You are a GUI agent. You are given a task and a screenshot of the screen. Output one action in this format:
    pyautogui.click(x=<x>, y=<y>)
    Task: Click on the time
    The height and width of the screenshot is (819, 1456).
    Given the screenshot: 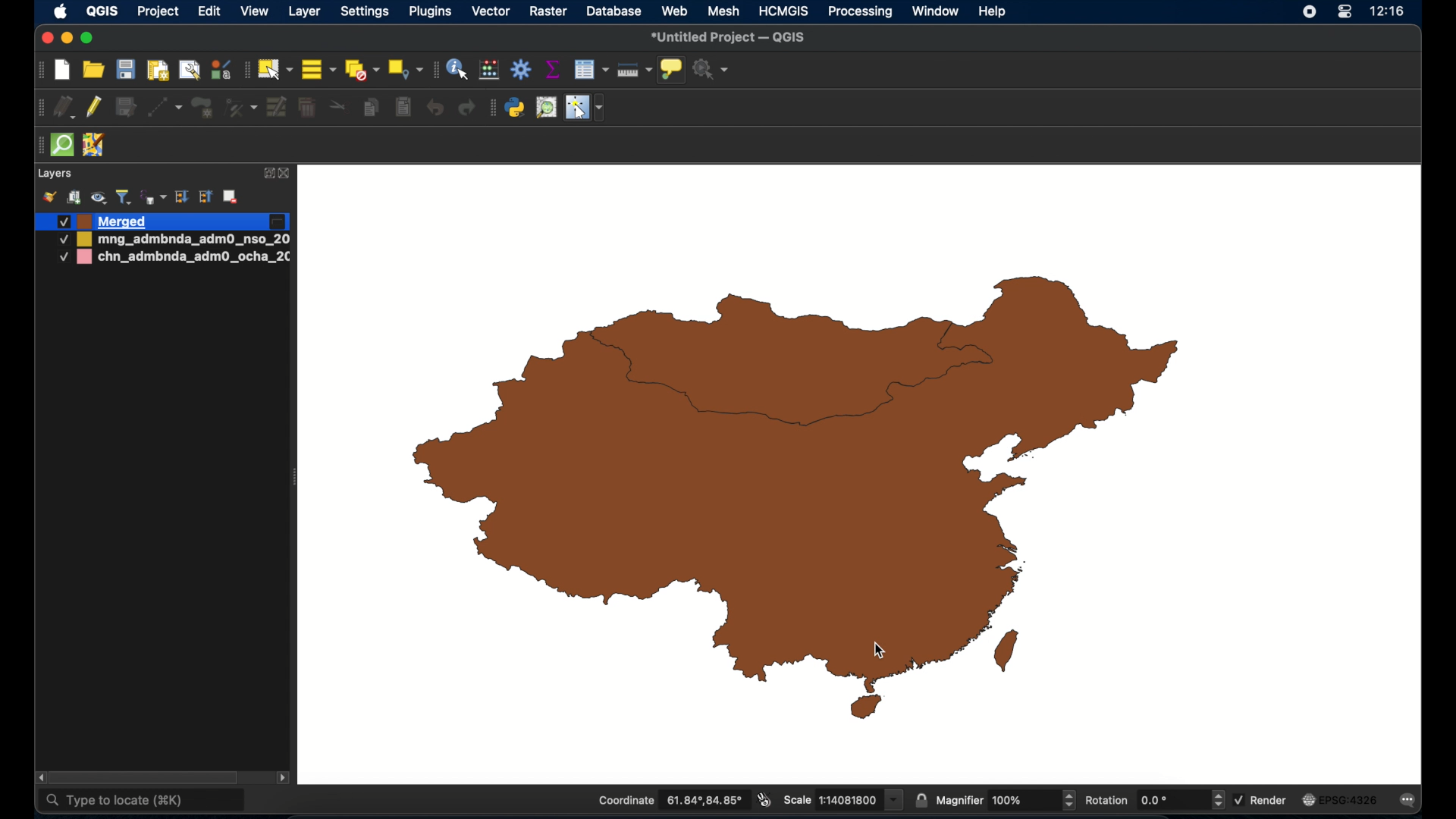 What is the action you would take?
    pyautogui.click(x=1388, y=13)
    